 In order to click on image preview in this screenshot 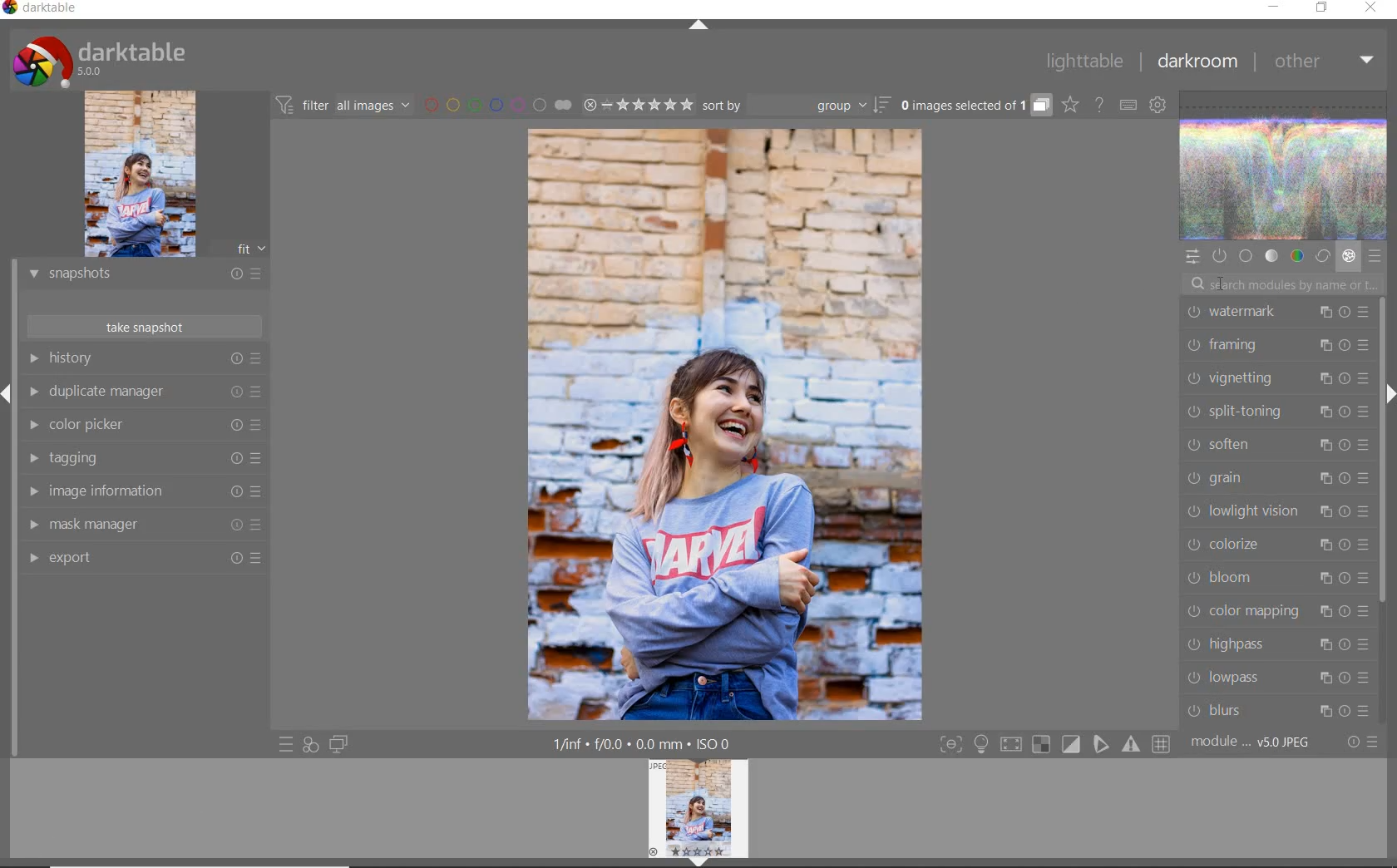, I will do `click(703, 812)`.